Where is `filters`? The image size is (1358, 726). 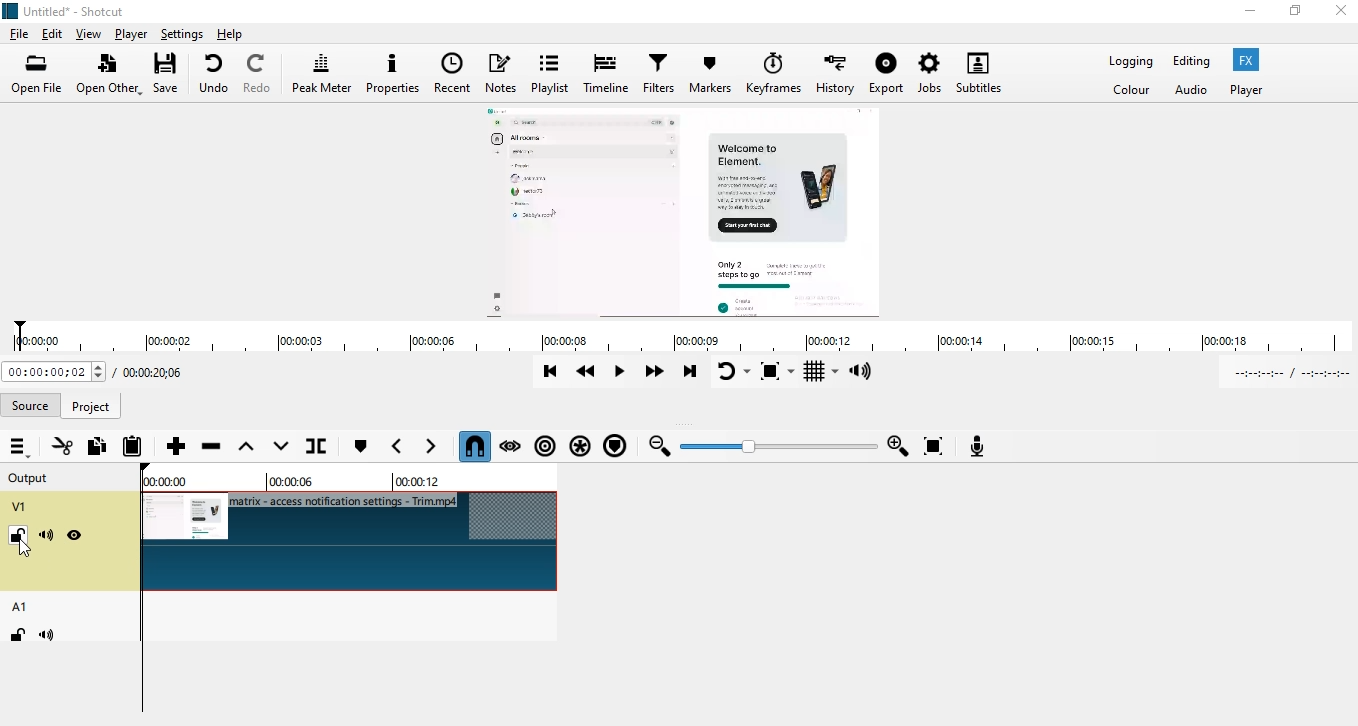
filters is located at coordinates (661, 73).